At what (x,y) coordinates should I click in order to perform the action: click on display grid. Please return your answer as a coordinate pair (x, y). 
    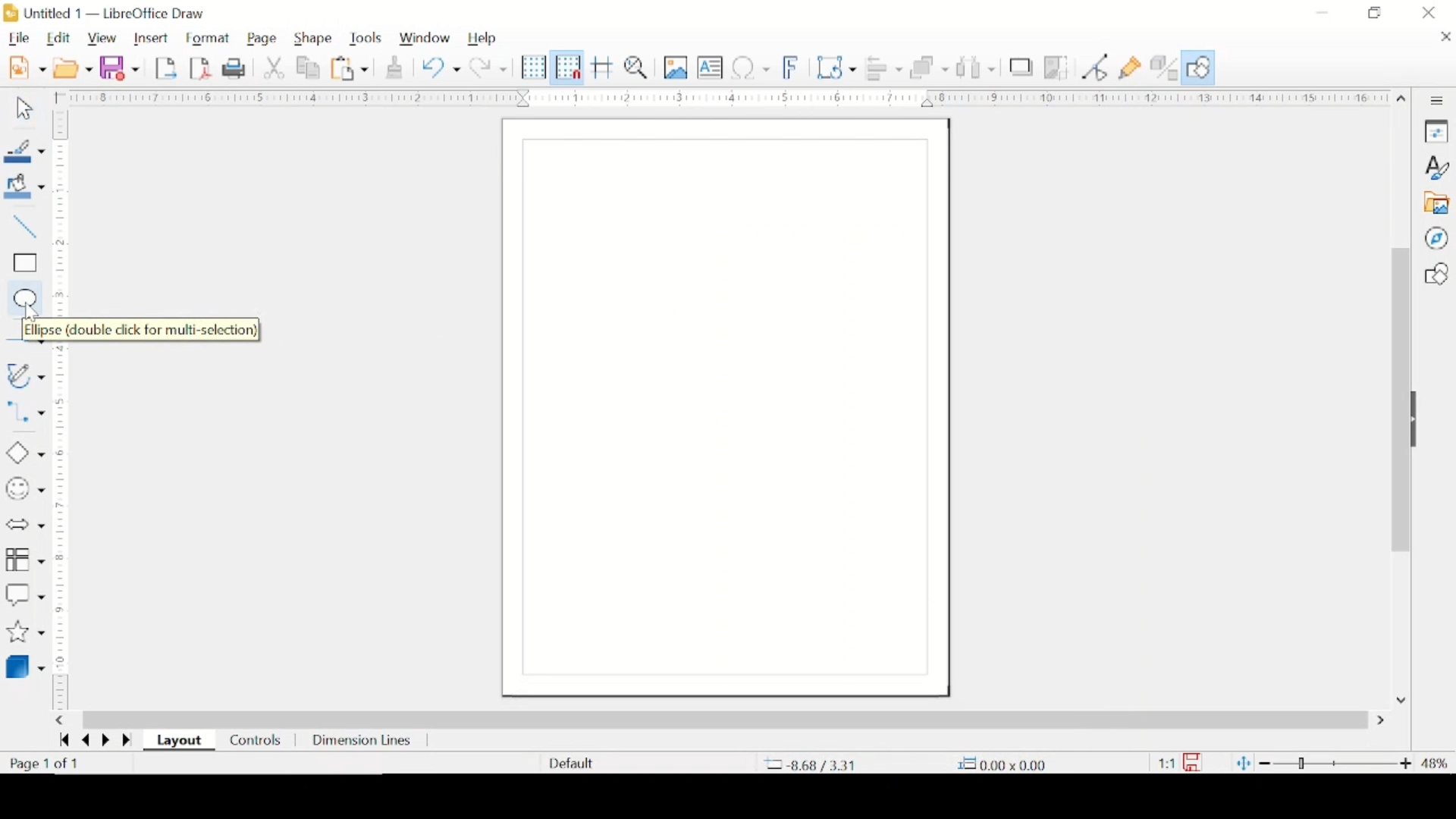
    Looking at the image, I should click on (533, 67).